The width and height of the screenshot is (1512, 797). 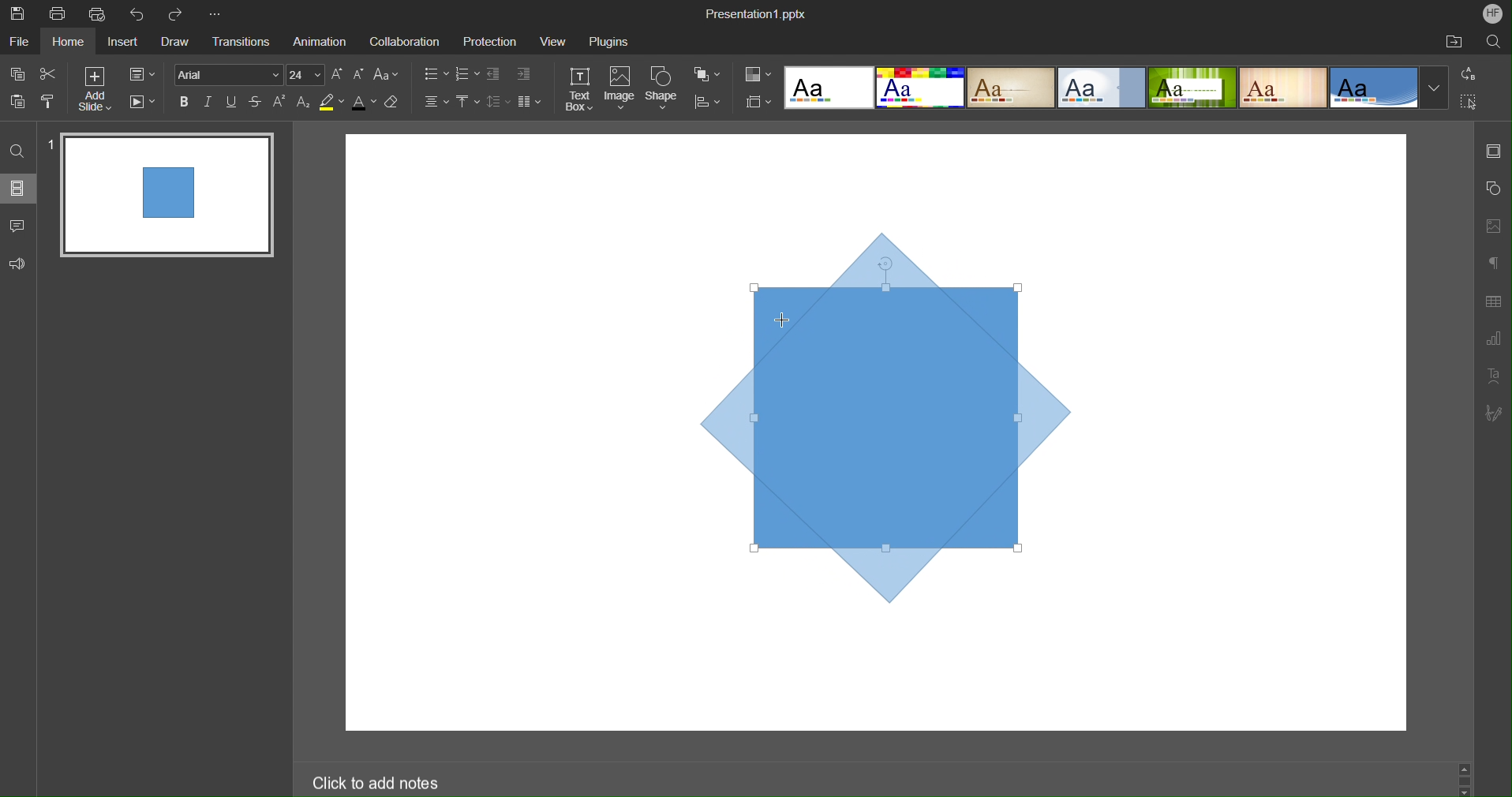 What do you see at coordinates (58, 12) in the screenshot?
I see `Print` at bounding box center [58, 12].